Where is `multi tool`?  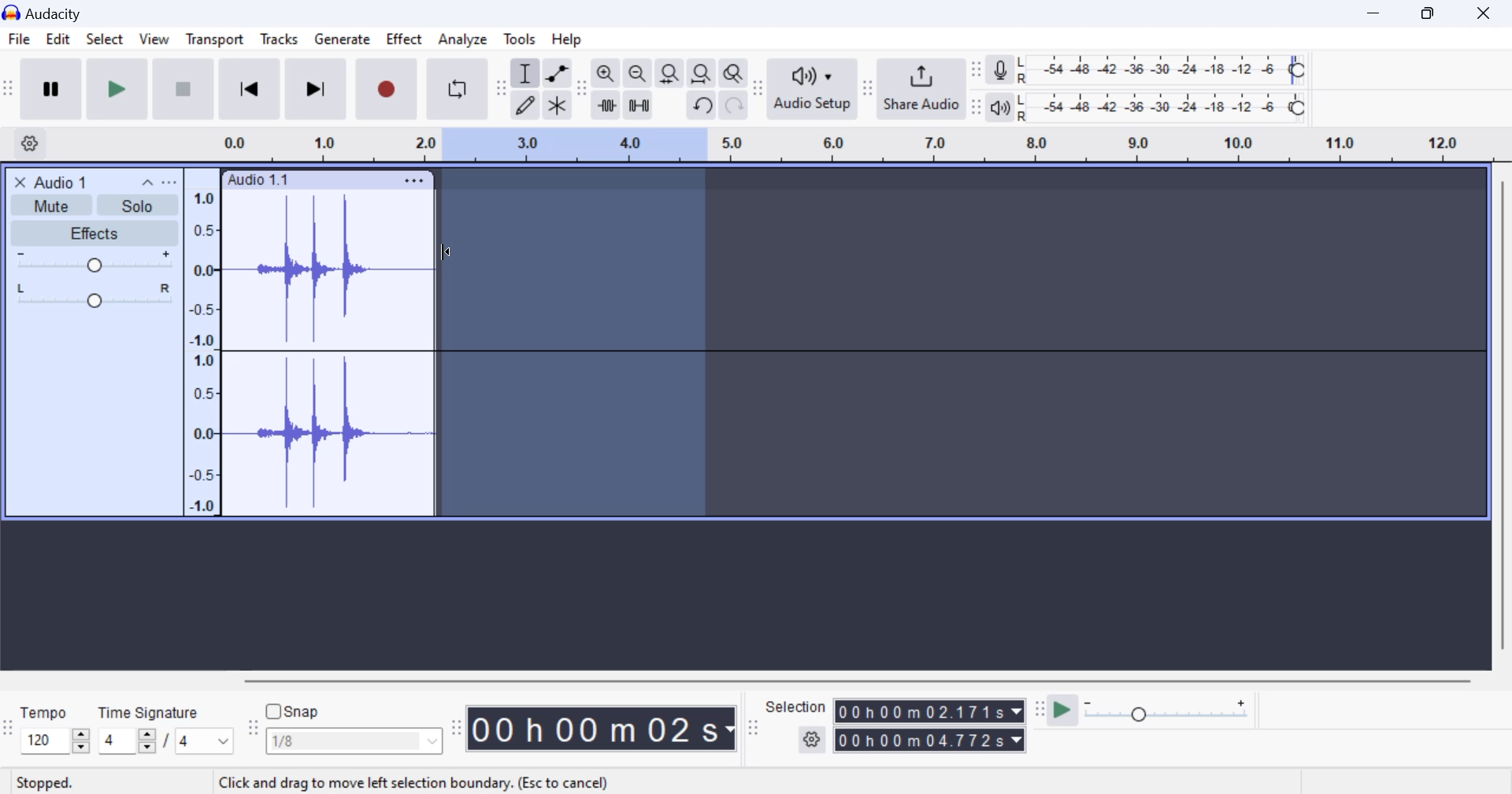
multi tool is located at coordinates (558, 106).